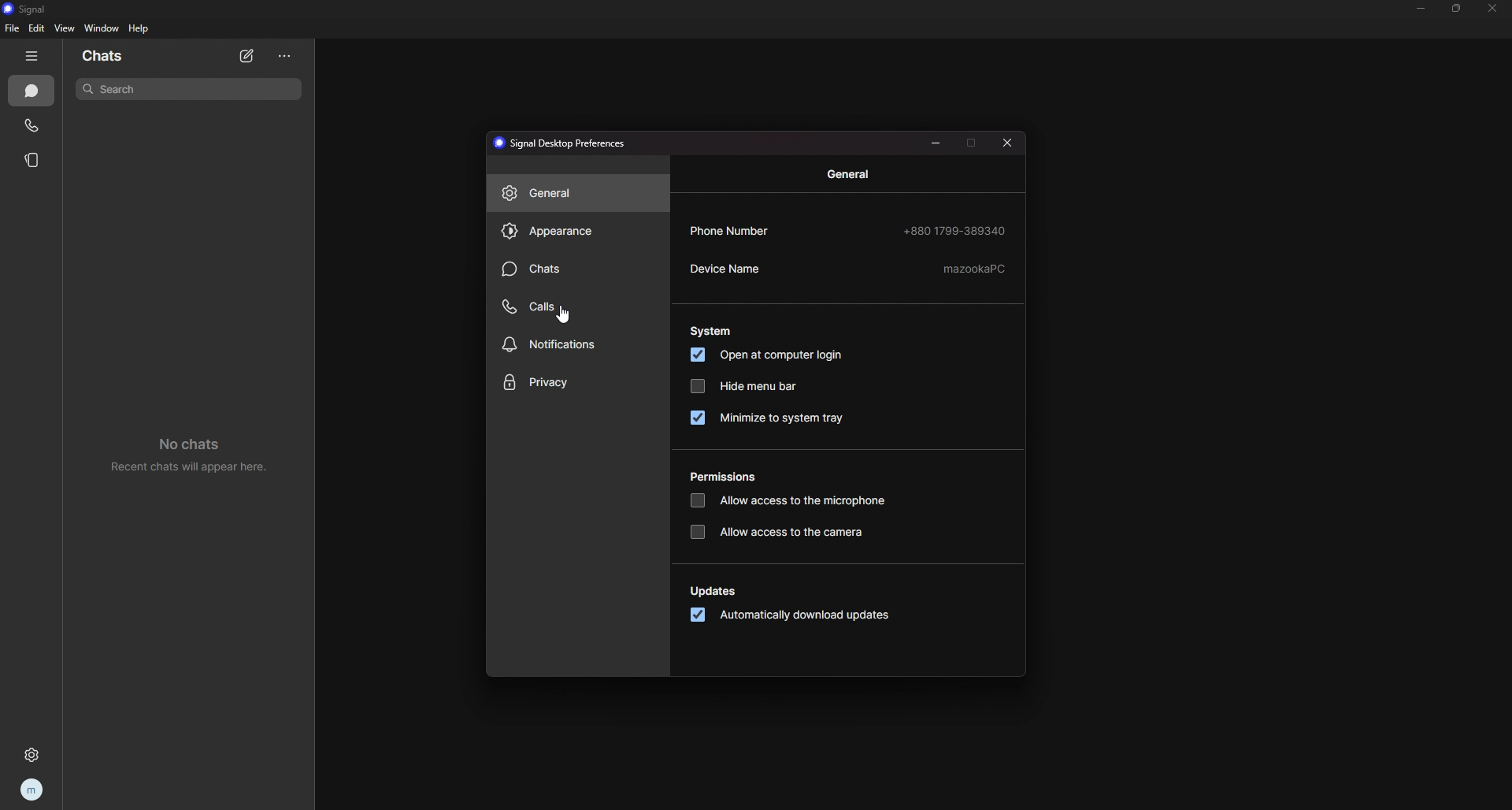 The image size is (1512, 810). What do you see at coordinates (570, 269) in the screenshot?
I see `chats` at bounding box center [570, 269].